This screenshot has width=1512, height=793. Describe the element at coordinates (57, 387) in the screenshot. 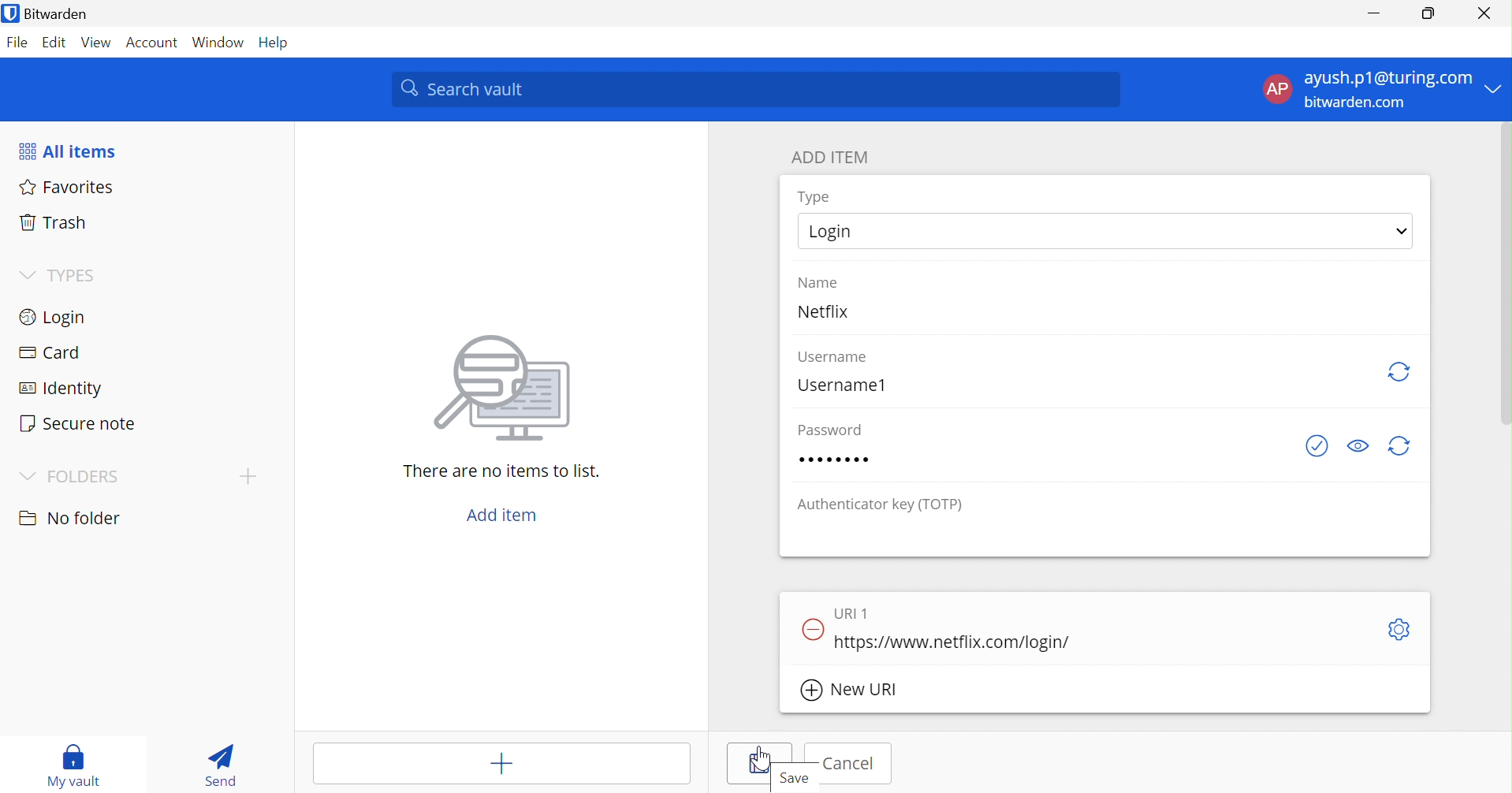

I see `Identity` at that location.